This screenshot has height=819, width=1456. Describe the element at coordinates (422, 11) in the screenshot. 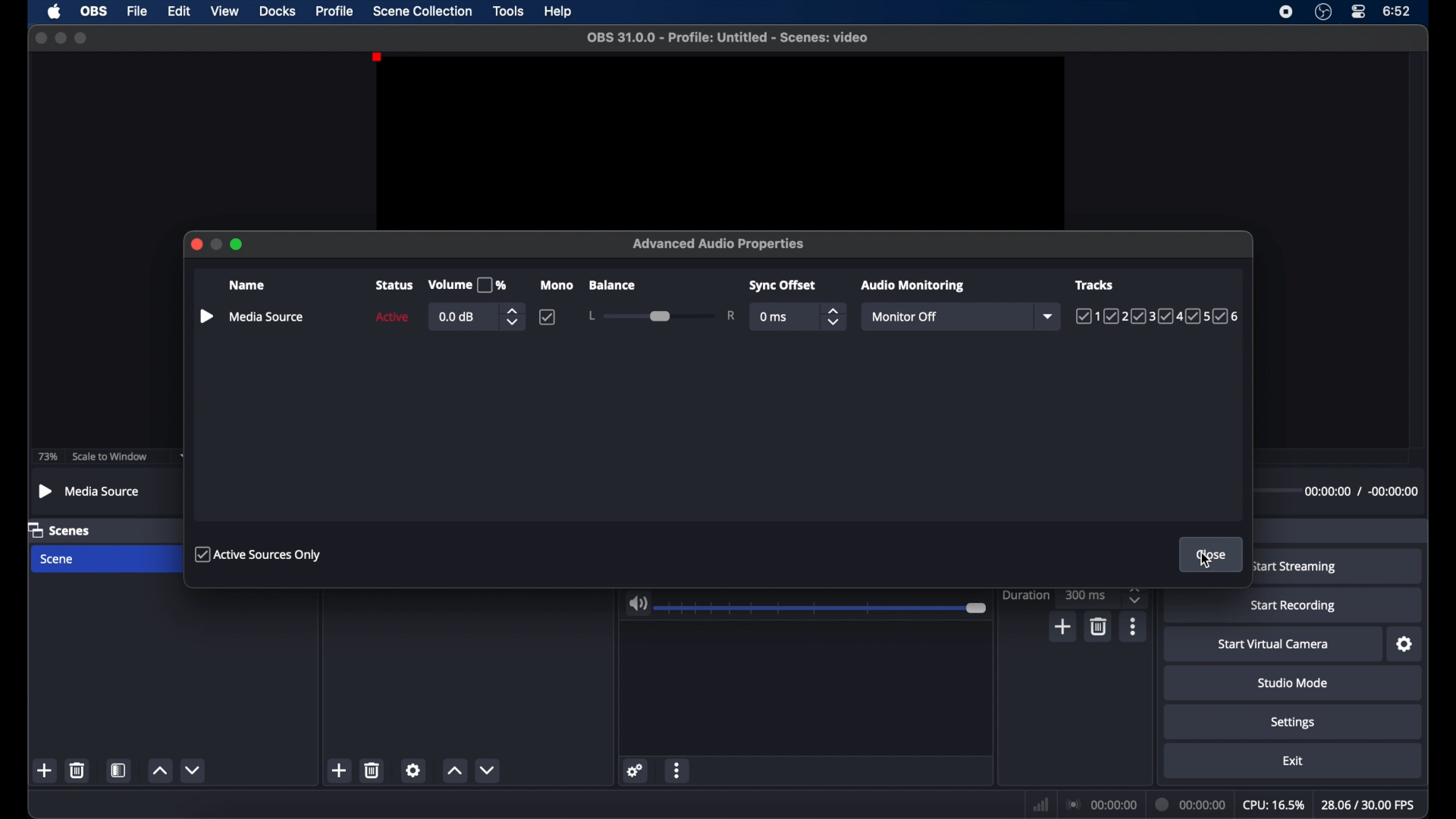

I see `scene collection` at that location.